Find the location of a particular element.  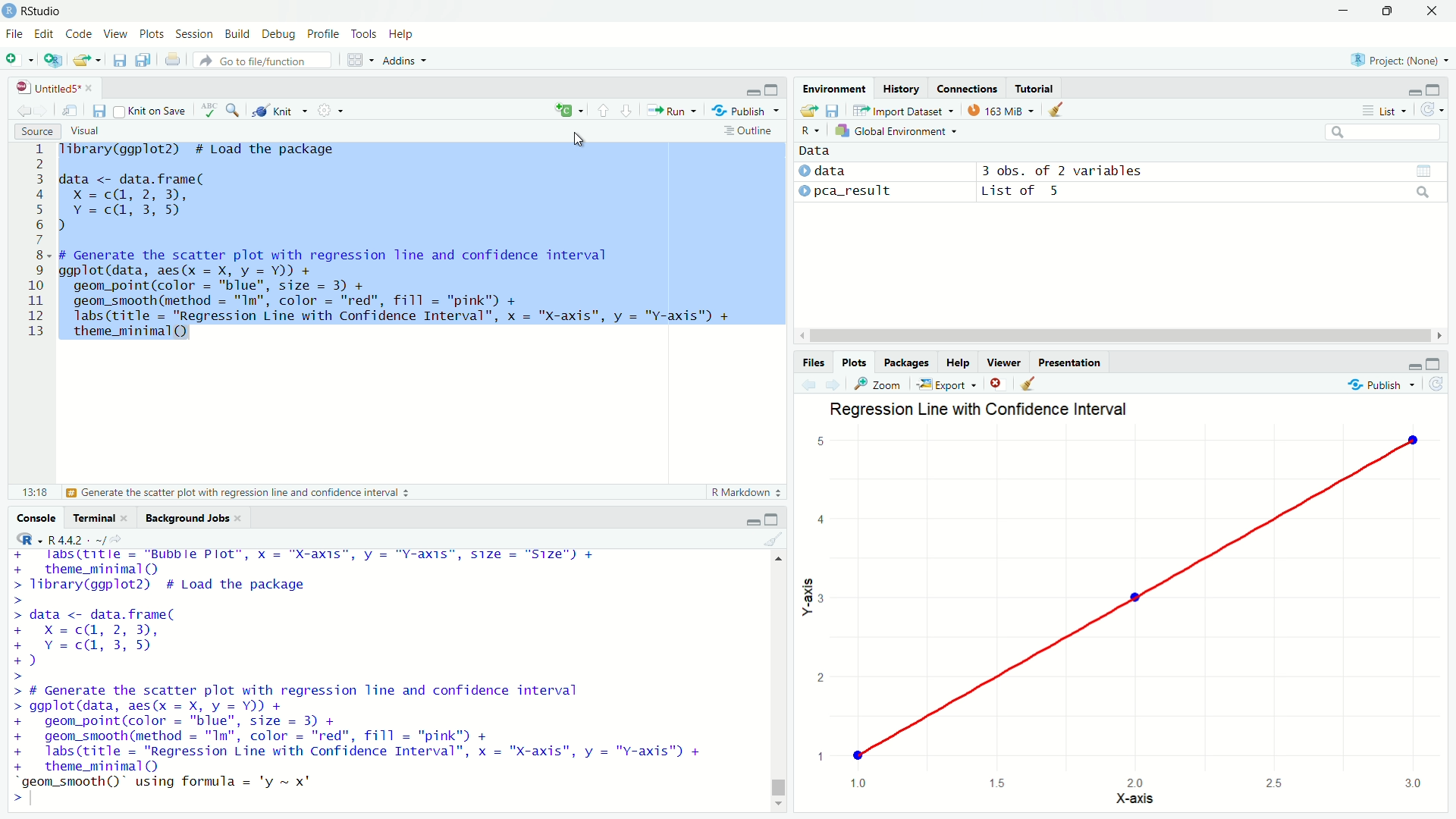

close is located at coordinates (93, 88).